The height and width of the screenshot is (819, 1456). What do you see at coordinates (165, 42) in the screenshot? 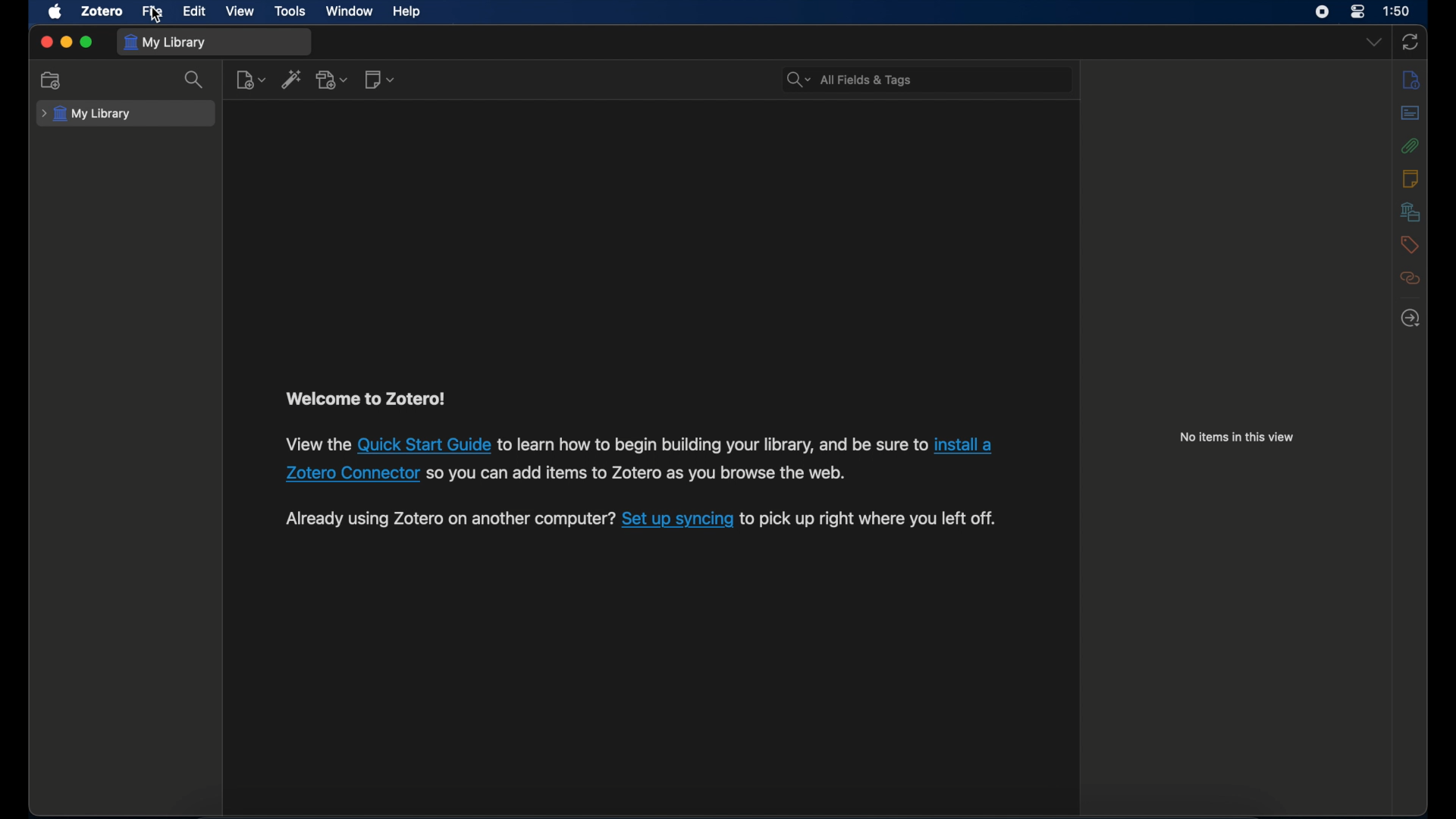
I see `my library` at bounding box center [165, 42].